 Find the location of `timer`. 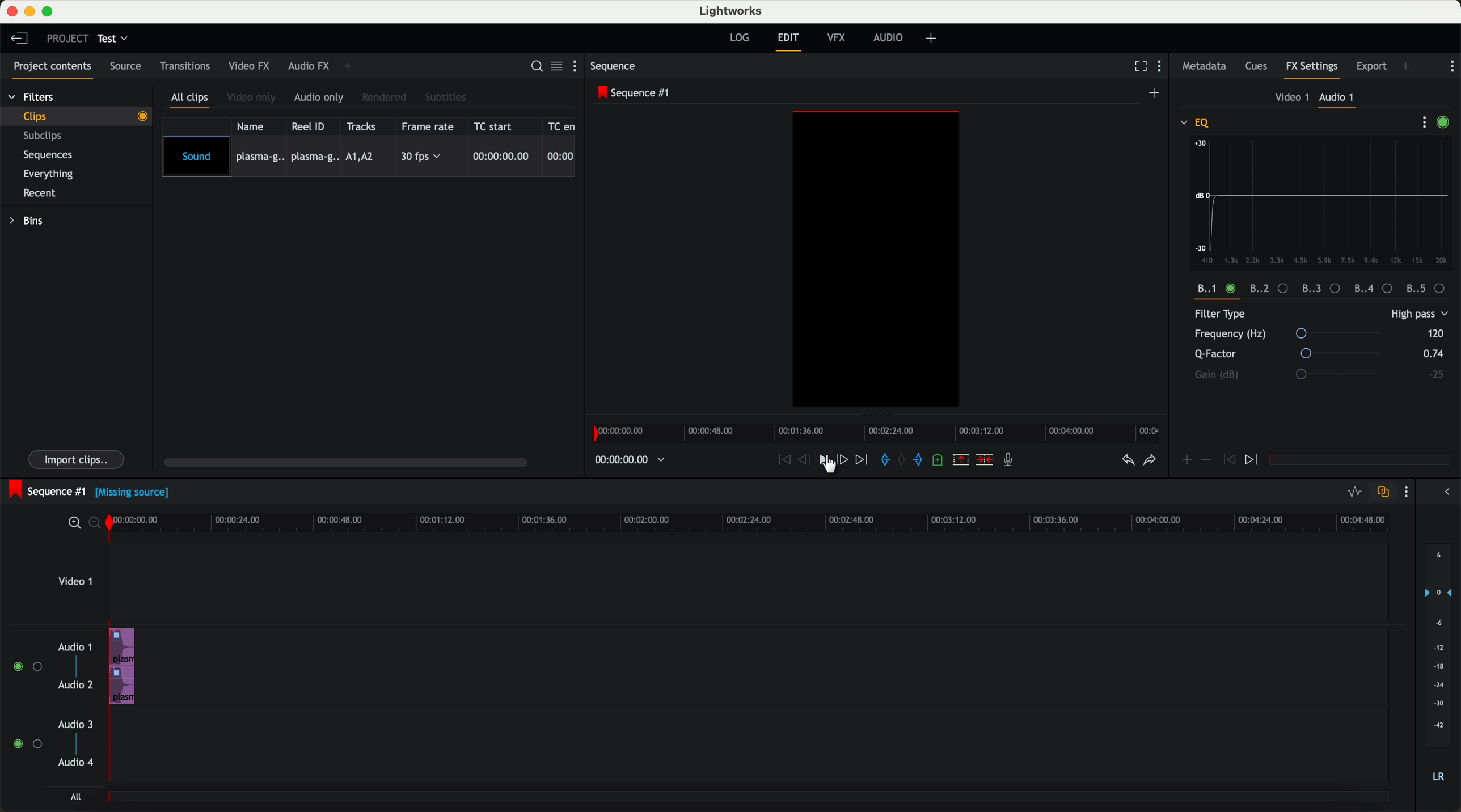

timer is located at coordinates (628, 460).